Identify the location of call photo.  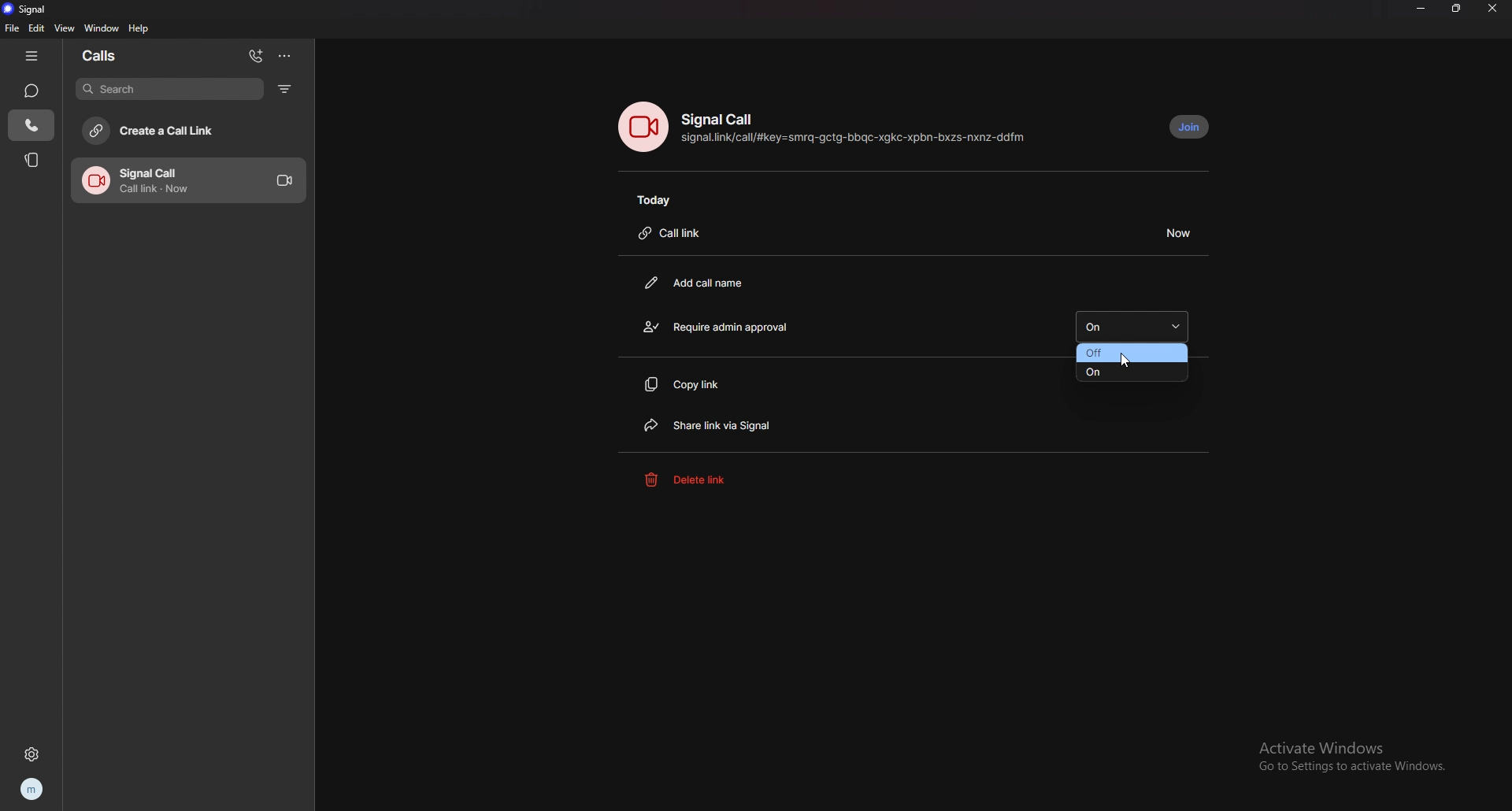
(645, 126).